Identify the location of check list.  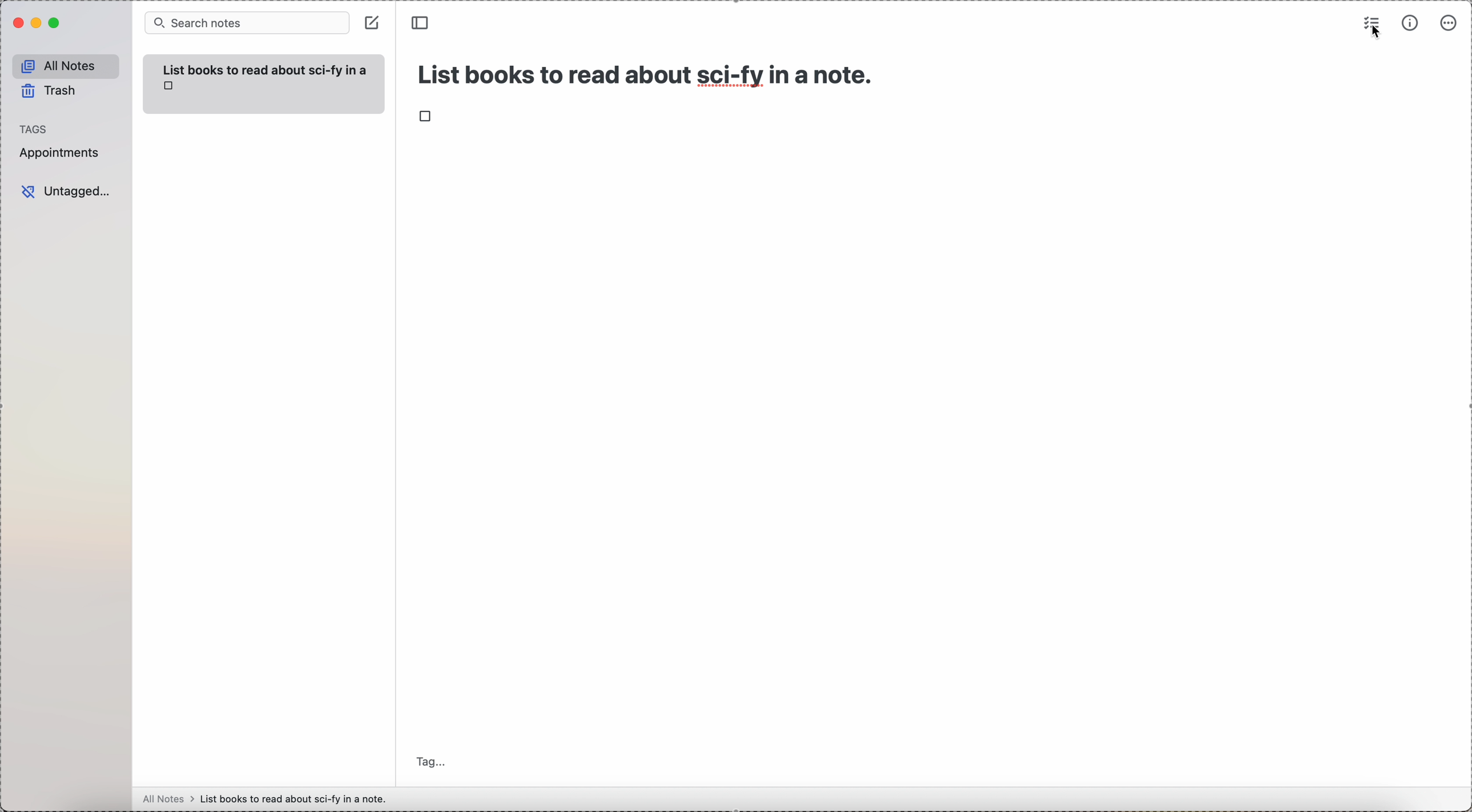
(1371, 18).